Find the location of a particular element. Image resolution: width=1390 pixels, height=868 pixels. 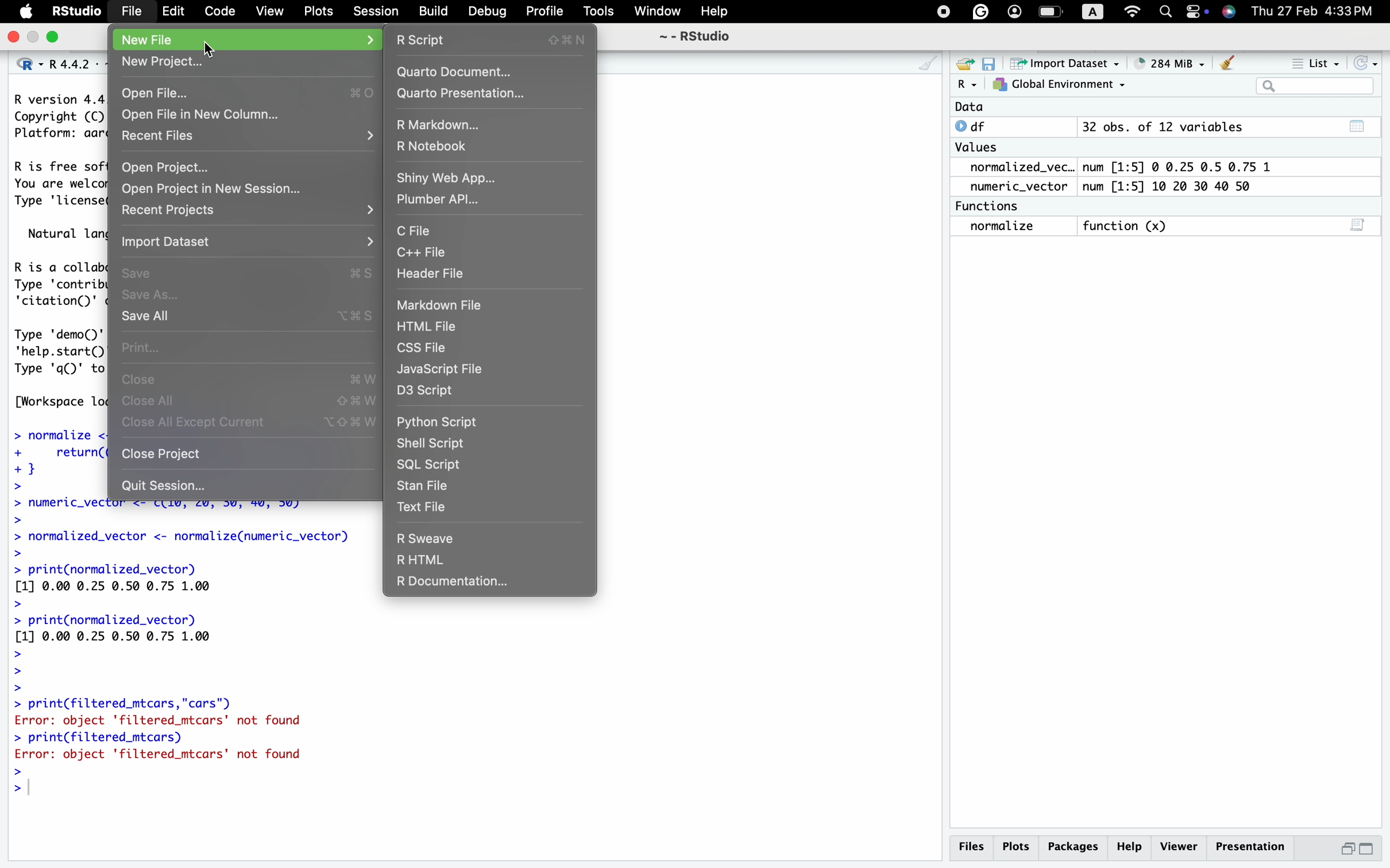

Session is located at coordinates (378, 11).